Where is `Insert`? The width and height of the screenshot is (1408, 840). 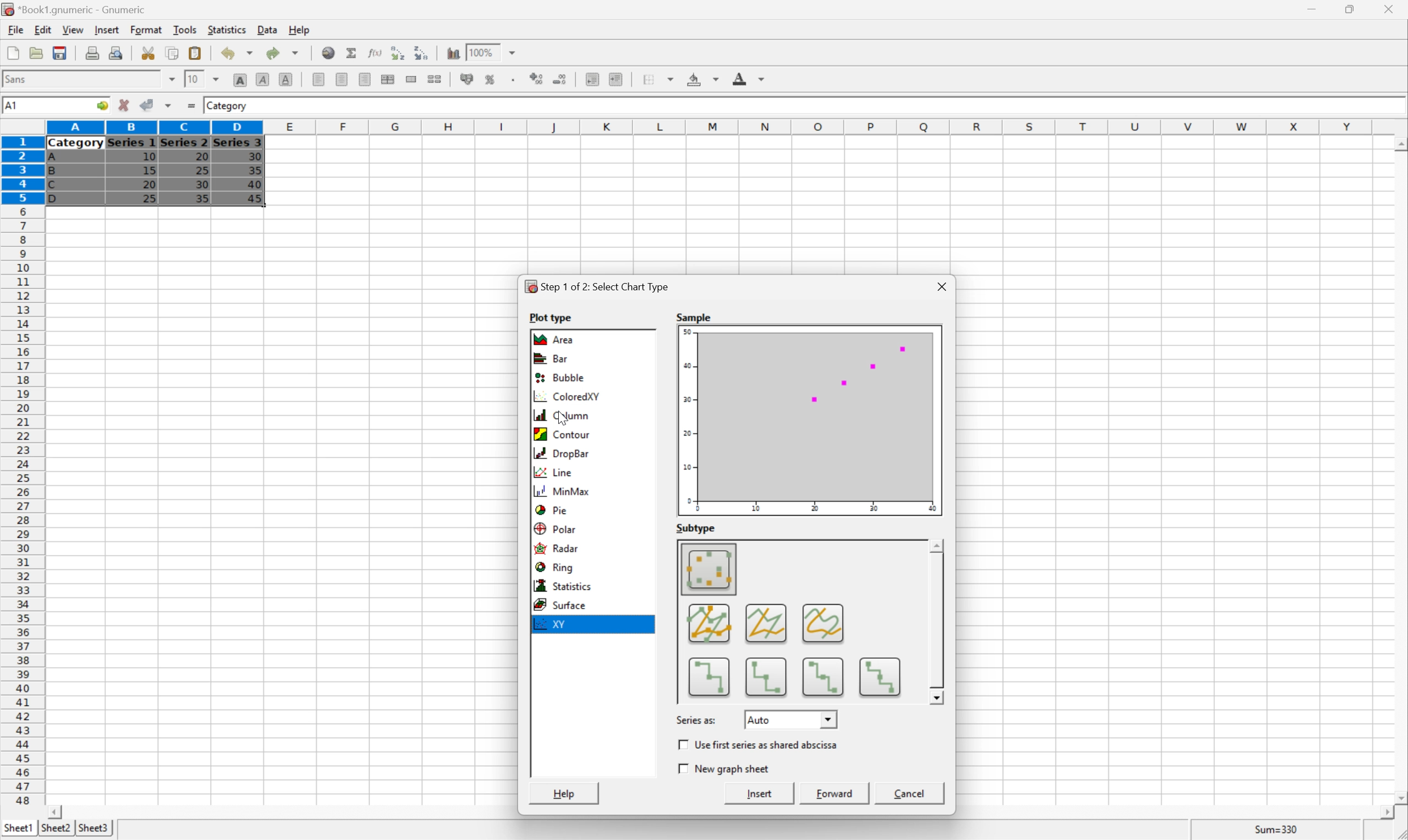
Insert is located at coordinates (762, 794).